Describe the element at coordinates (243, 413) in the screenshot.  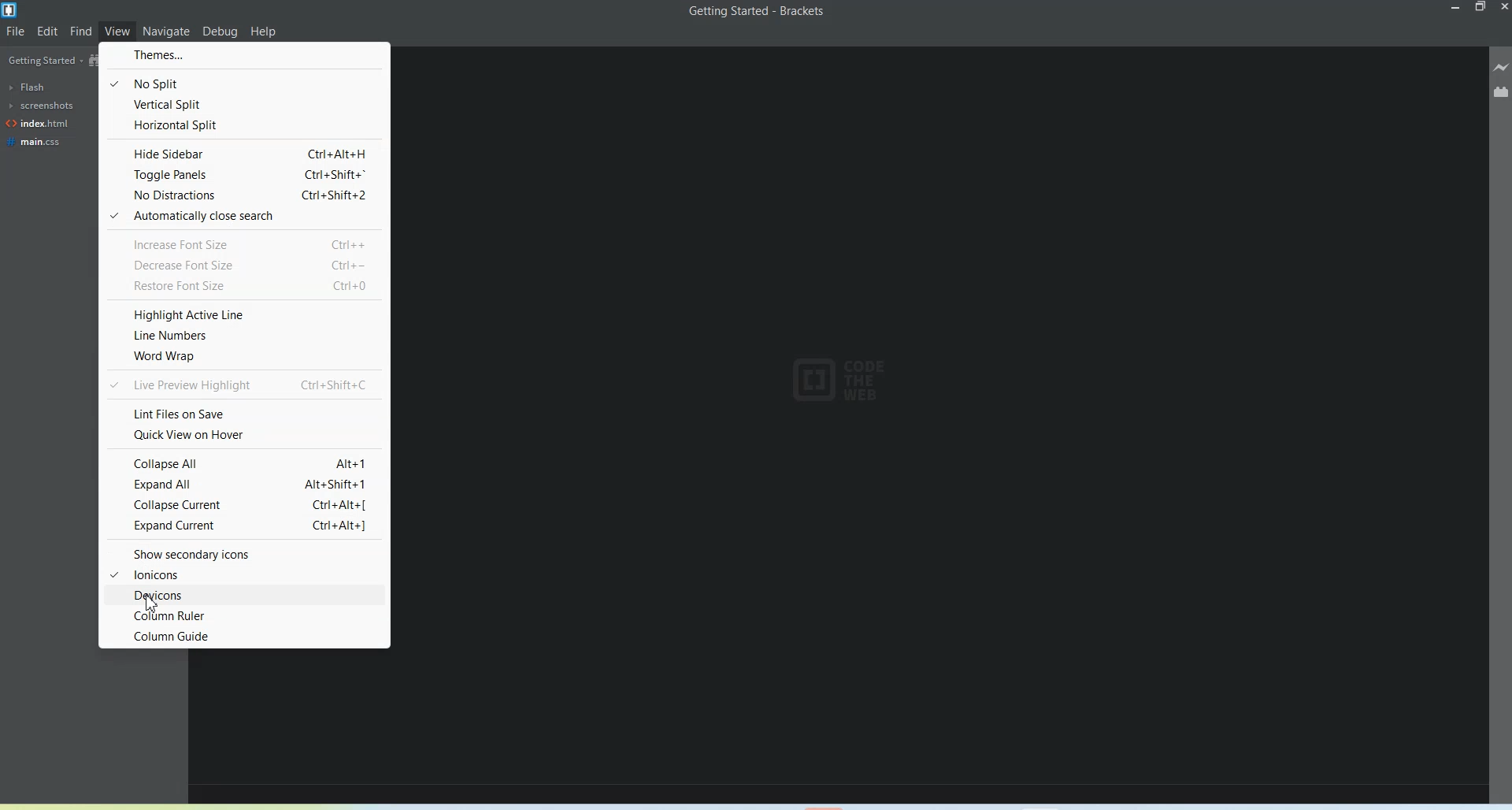
I see `Lint Files on save` at that location.